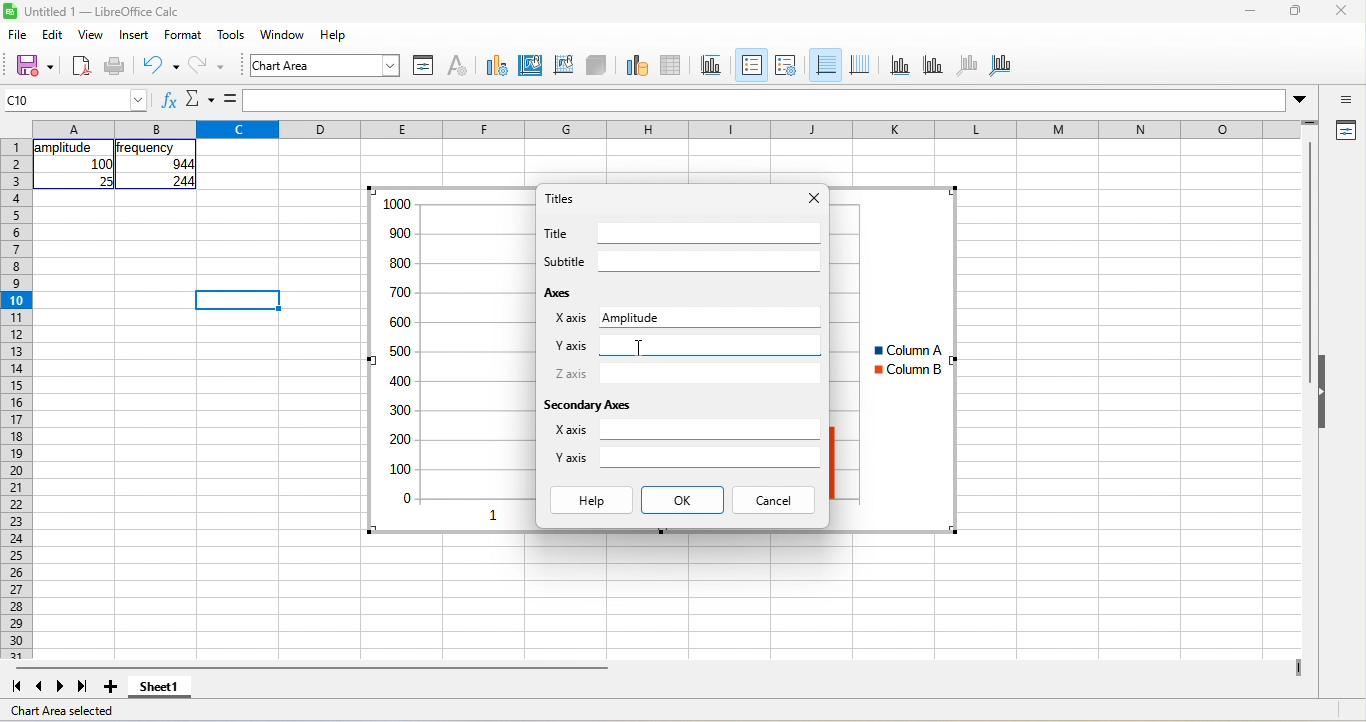  What do you see at coordinates (53, 34) in the screenshot?
I see `edit` at bounding box center [53, 34].